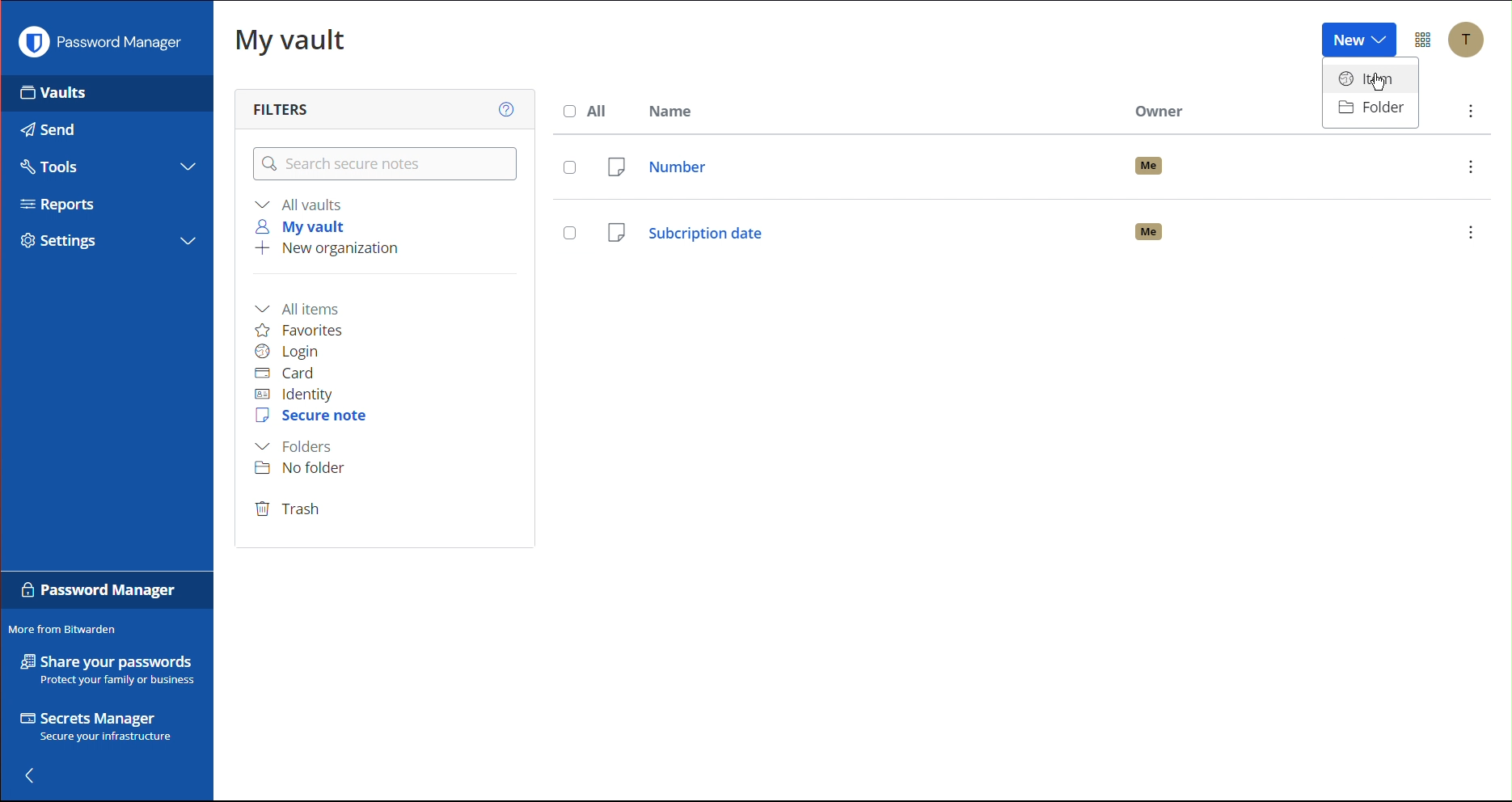 This screenshot has width=1512, height=802. I want to click on Name, so click(679, 111).